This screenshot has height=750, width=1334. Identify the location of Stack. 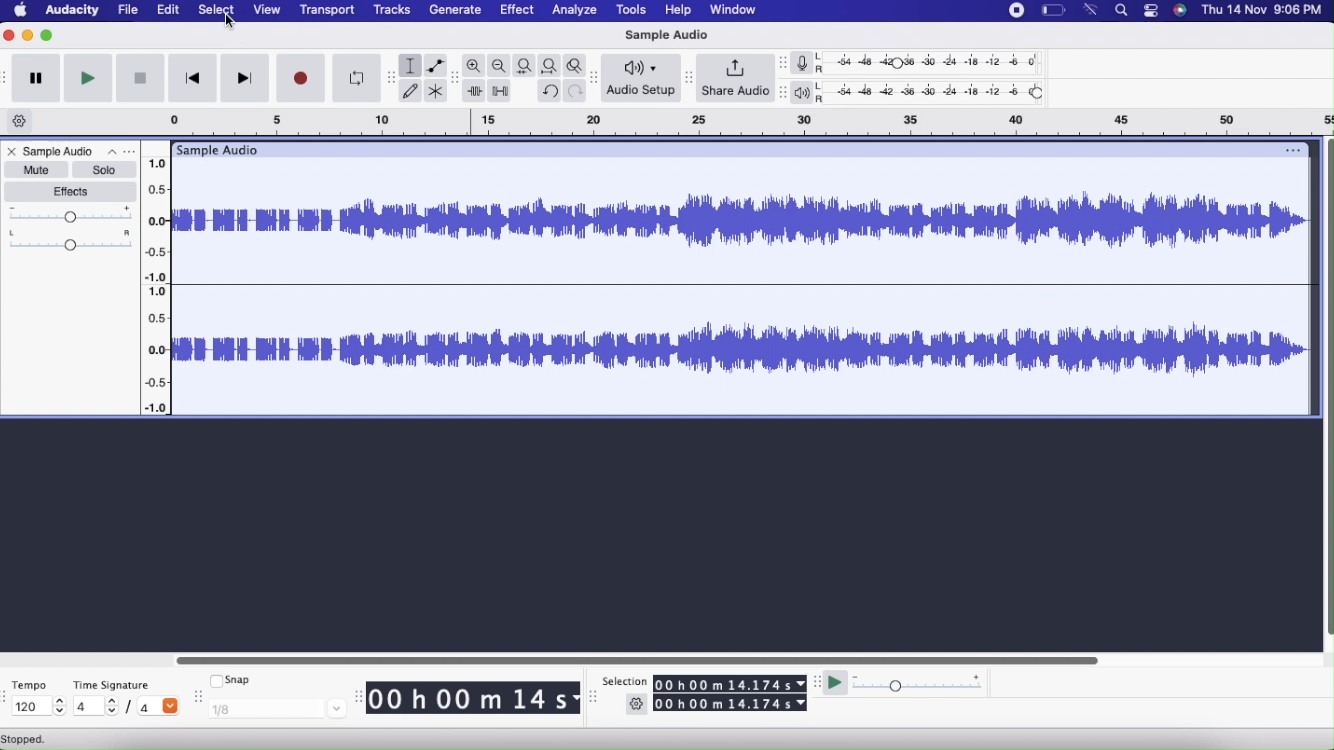
(1154, 11).